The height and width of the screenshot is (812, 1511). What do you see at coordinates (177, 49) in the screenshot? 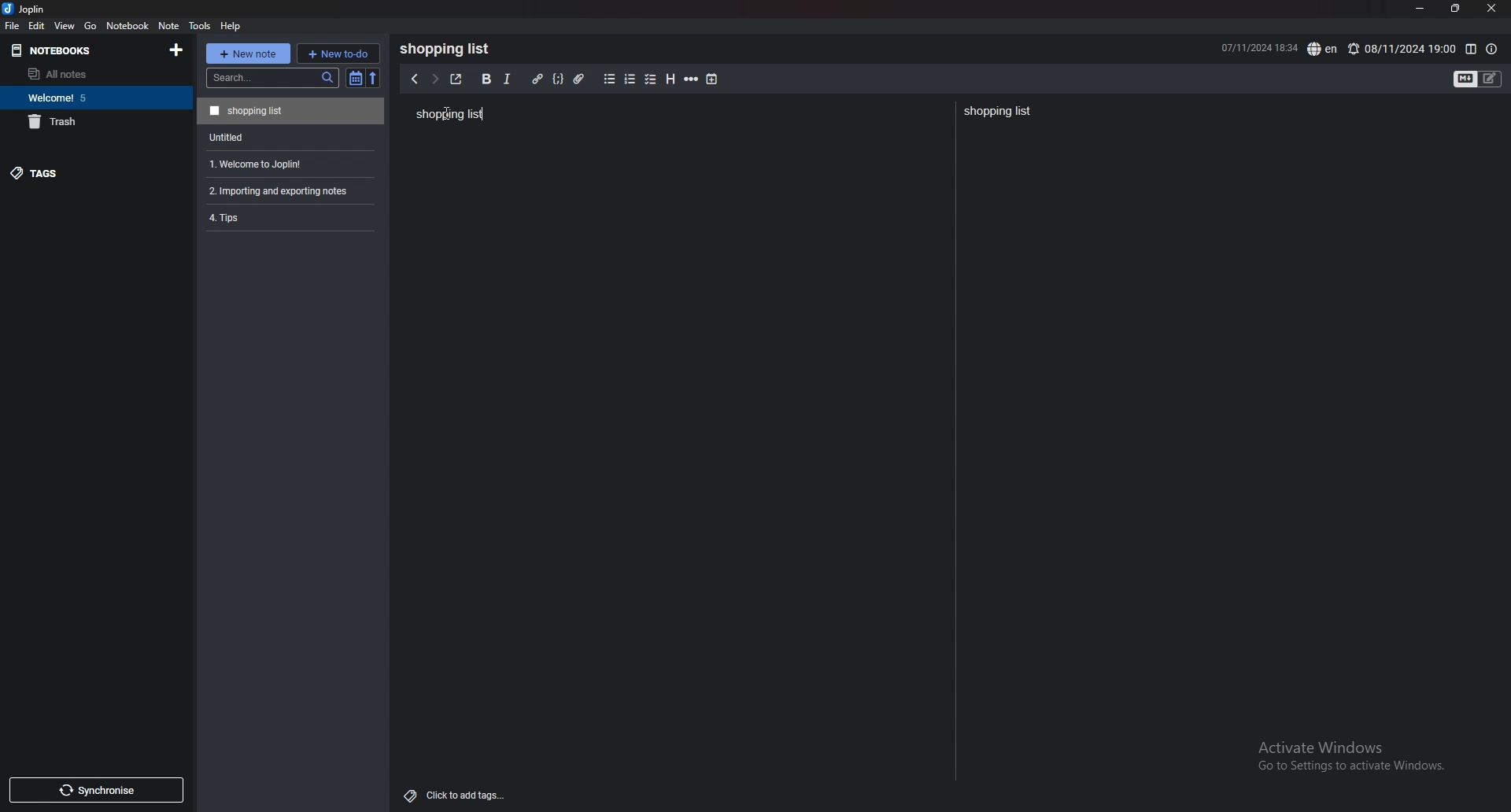
I see `add notebooks` at bounding box center [177, 49].